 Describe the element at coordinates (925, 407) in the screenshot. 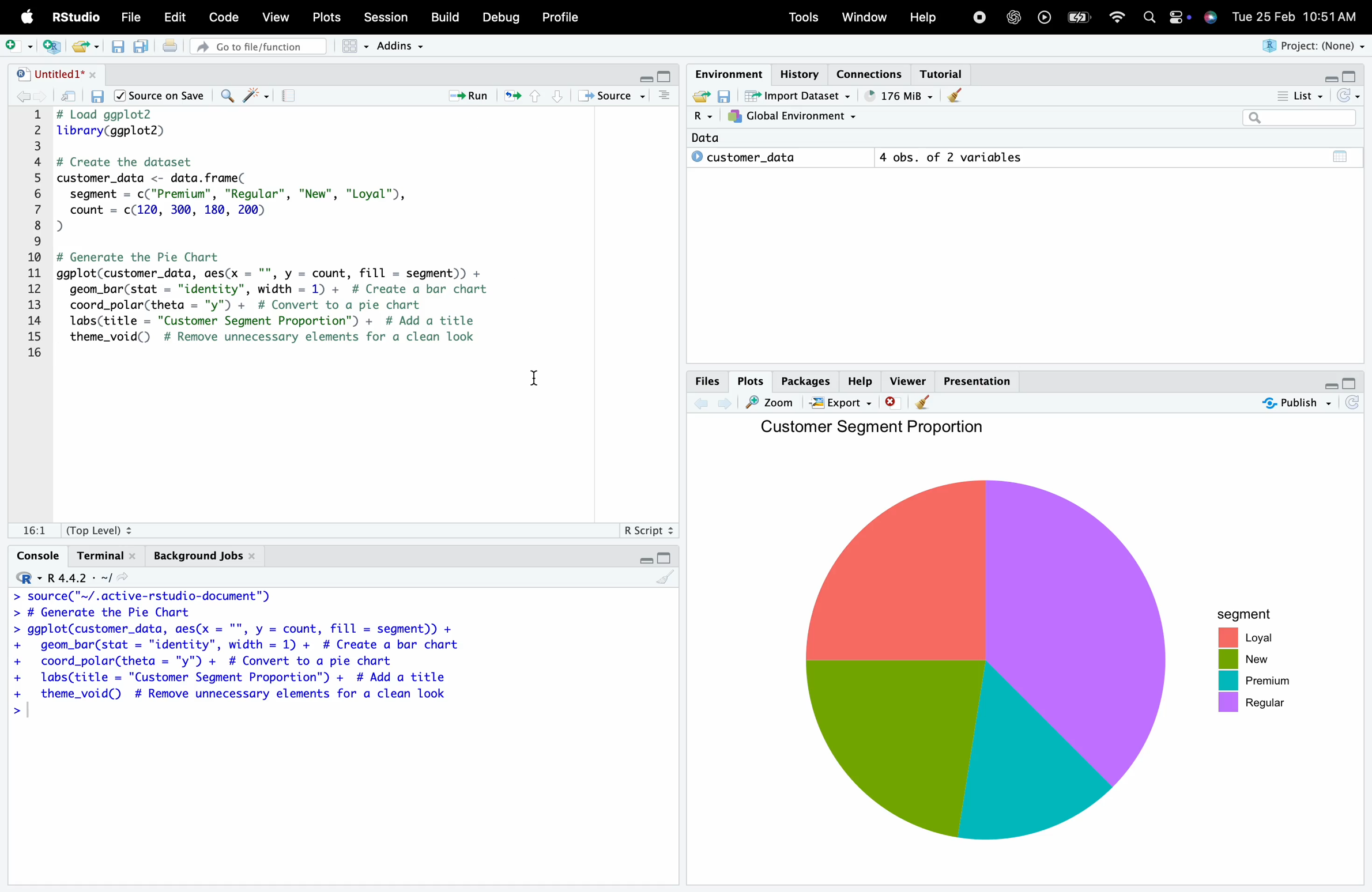

I see `clear` at that location.